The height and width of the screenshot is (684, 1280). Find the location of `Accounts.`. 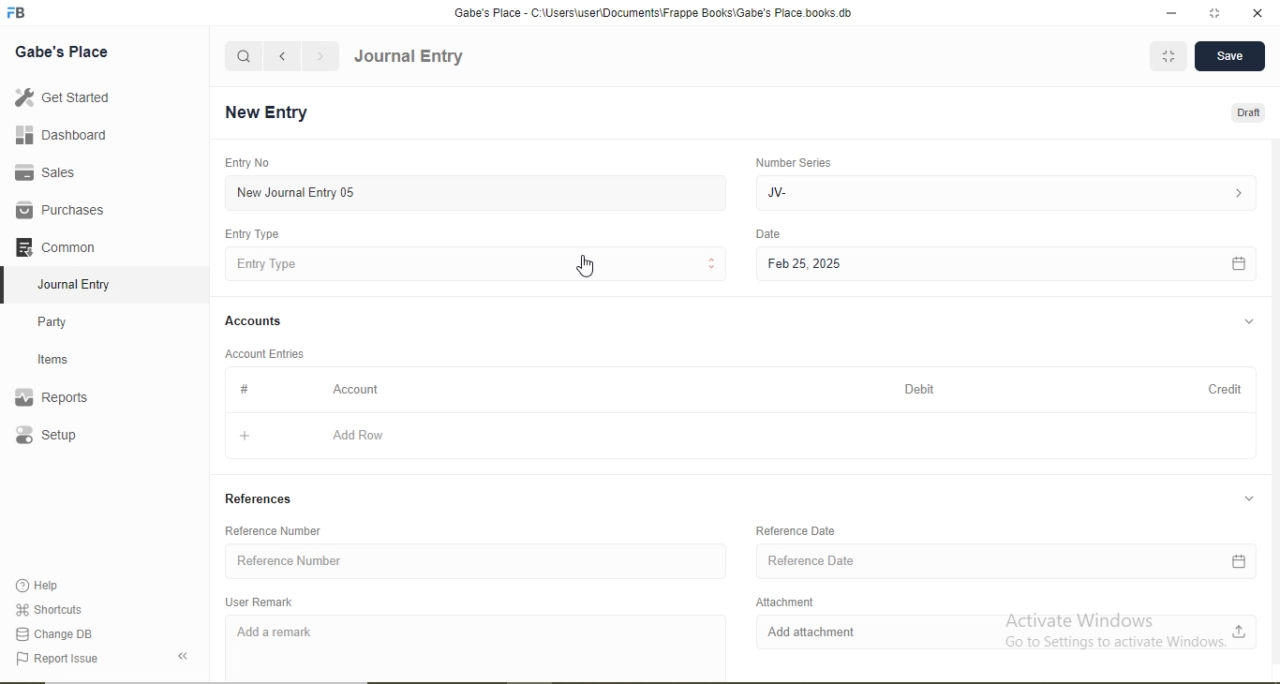

Accounts. is located at coordinates (254, 321).